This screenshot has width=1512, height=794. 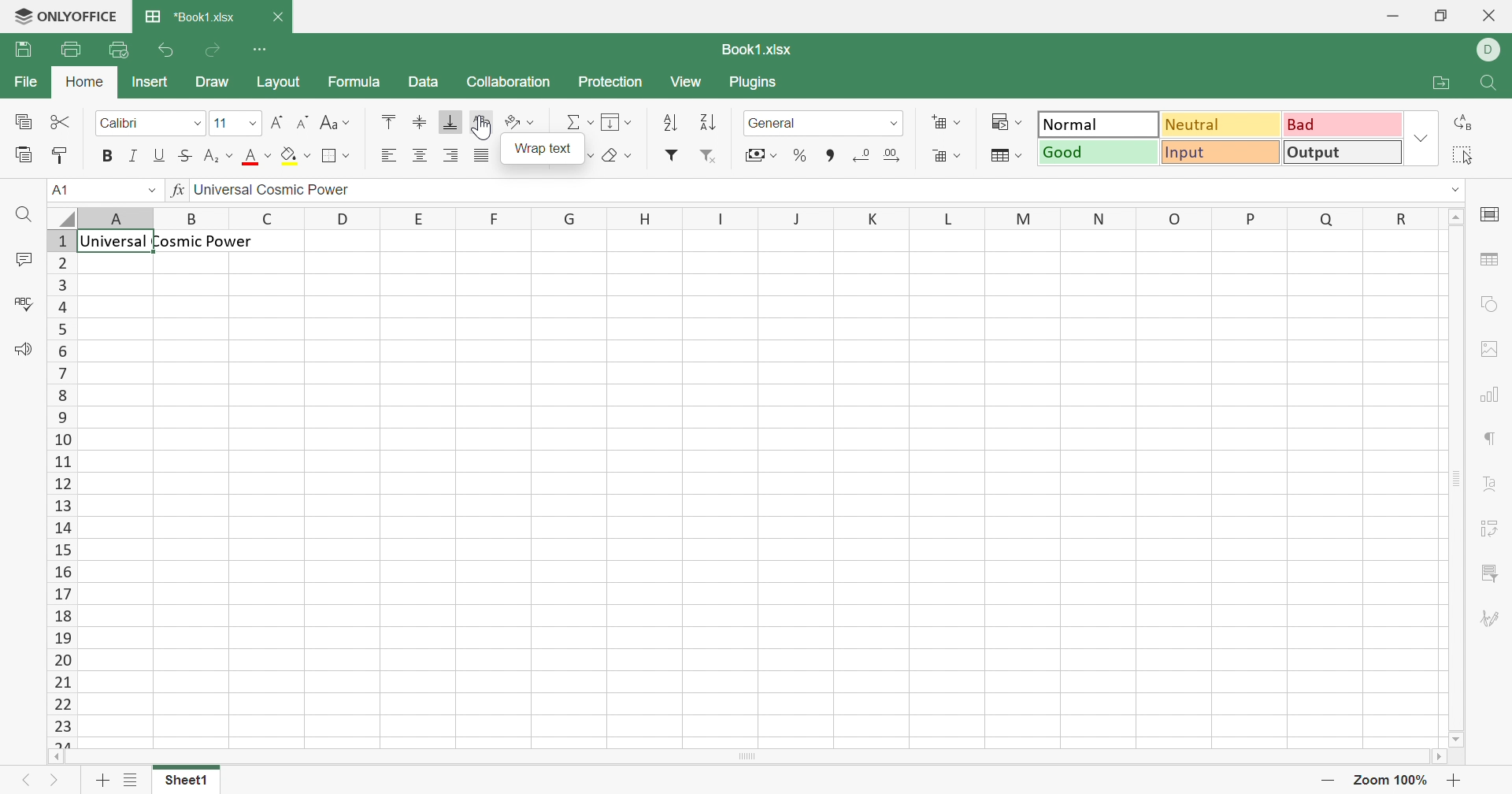 What do you see at coordinates (1491, 483) in the screenshot?
I see `Text Art settings` at bounding box center [1491, 483].